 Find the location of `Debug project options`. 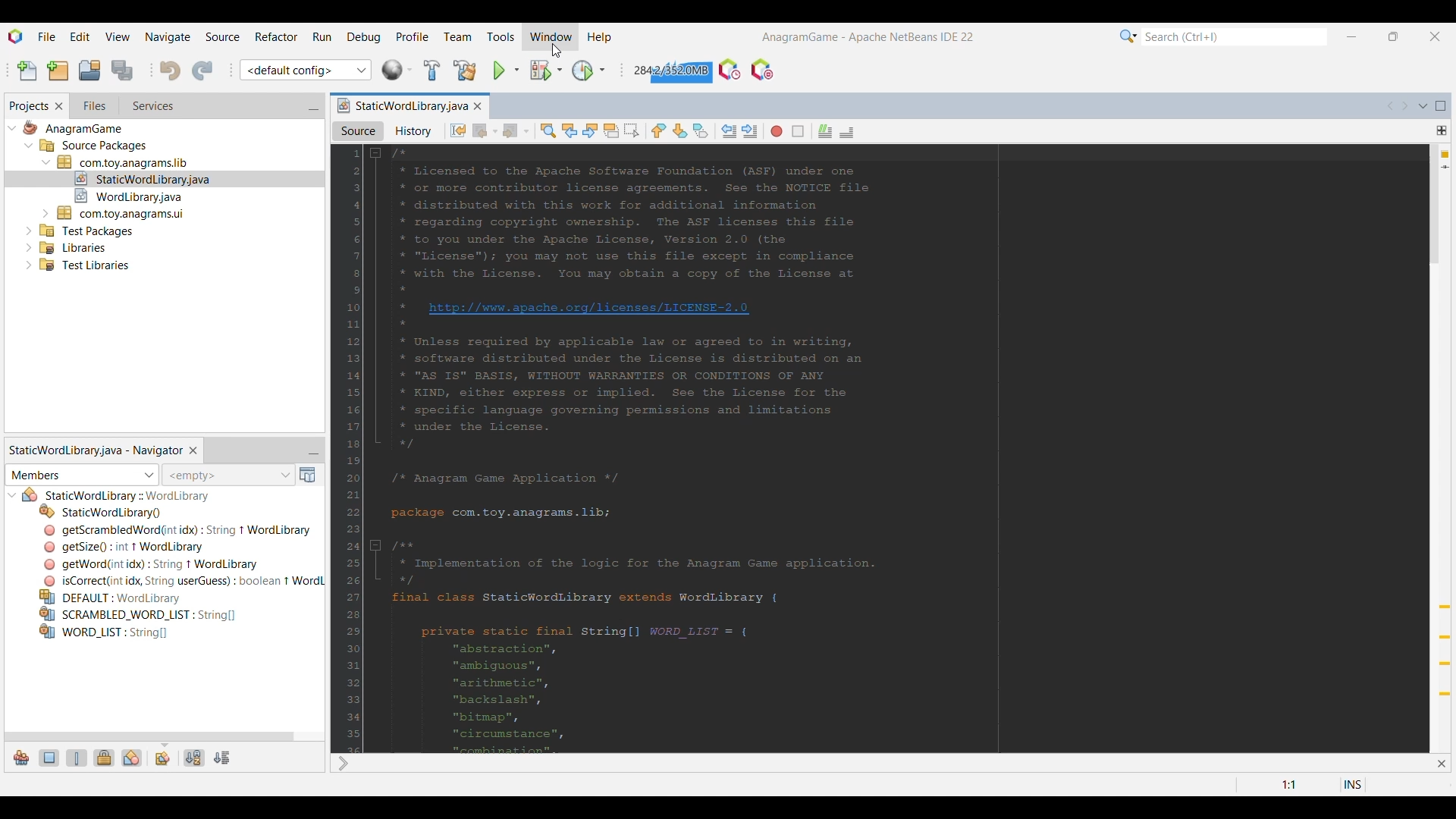

Debug project options is located at coordinates (559, 70).